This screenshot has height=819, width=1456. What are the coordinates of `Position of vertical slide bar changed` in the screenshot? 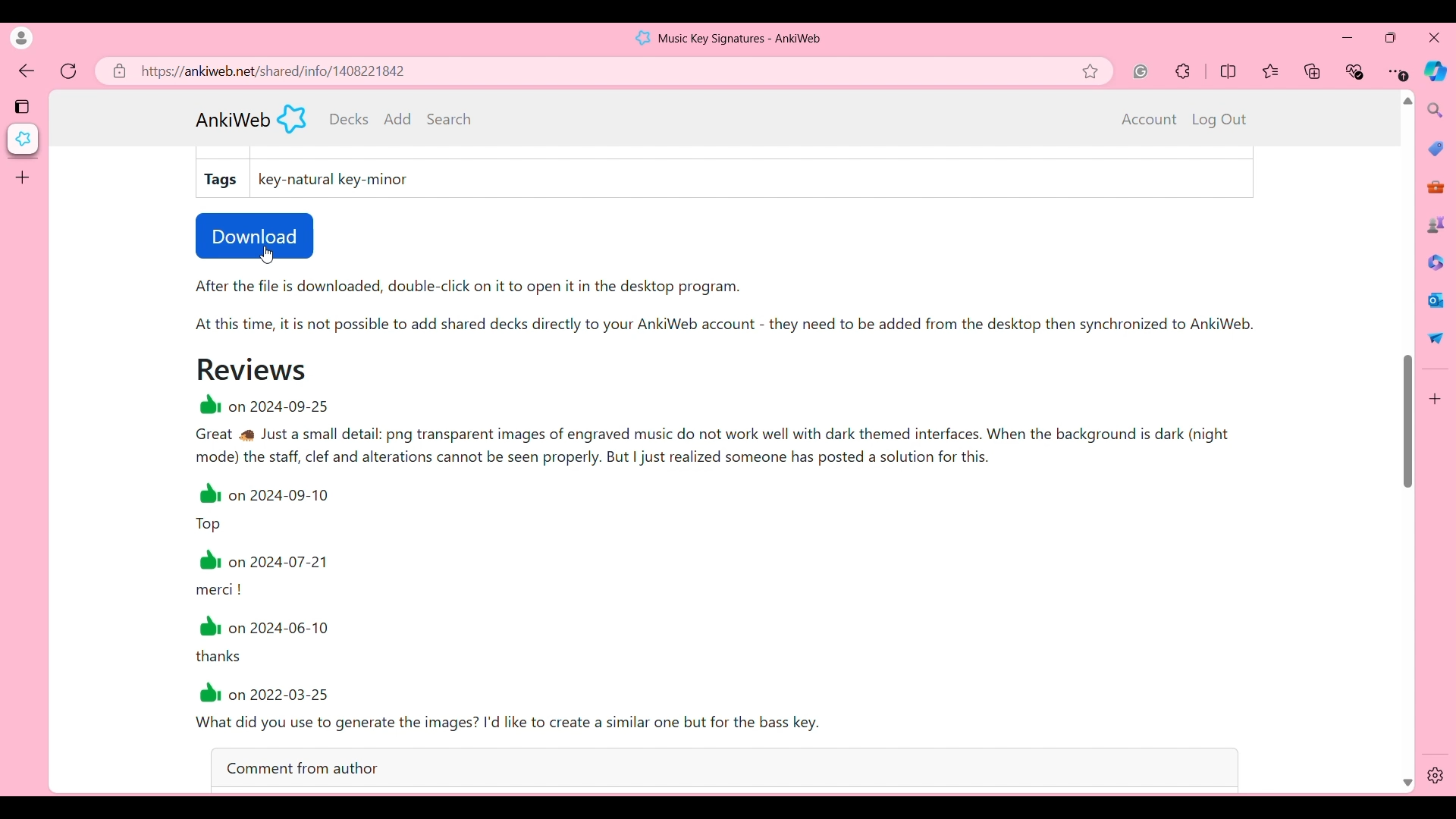 It's located at (1408, 421).